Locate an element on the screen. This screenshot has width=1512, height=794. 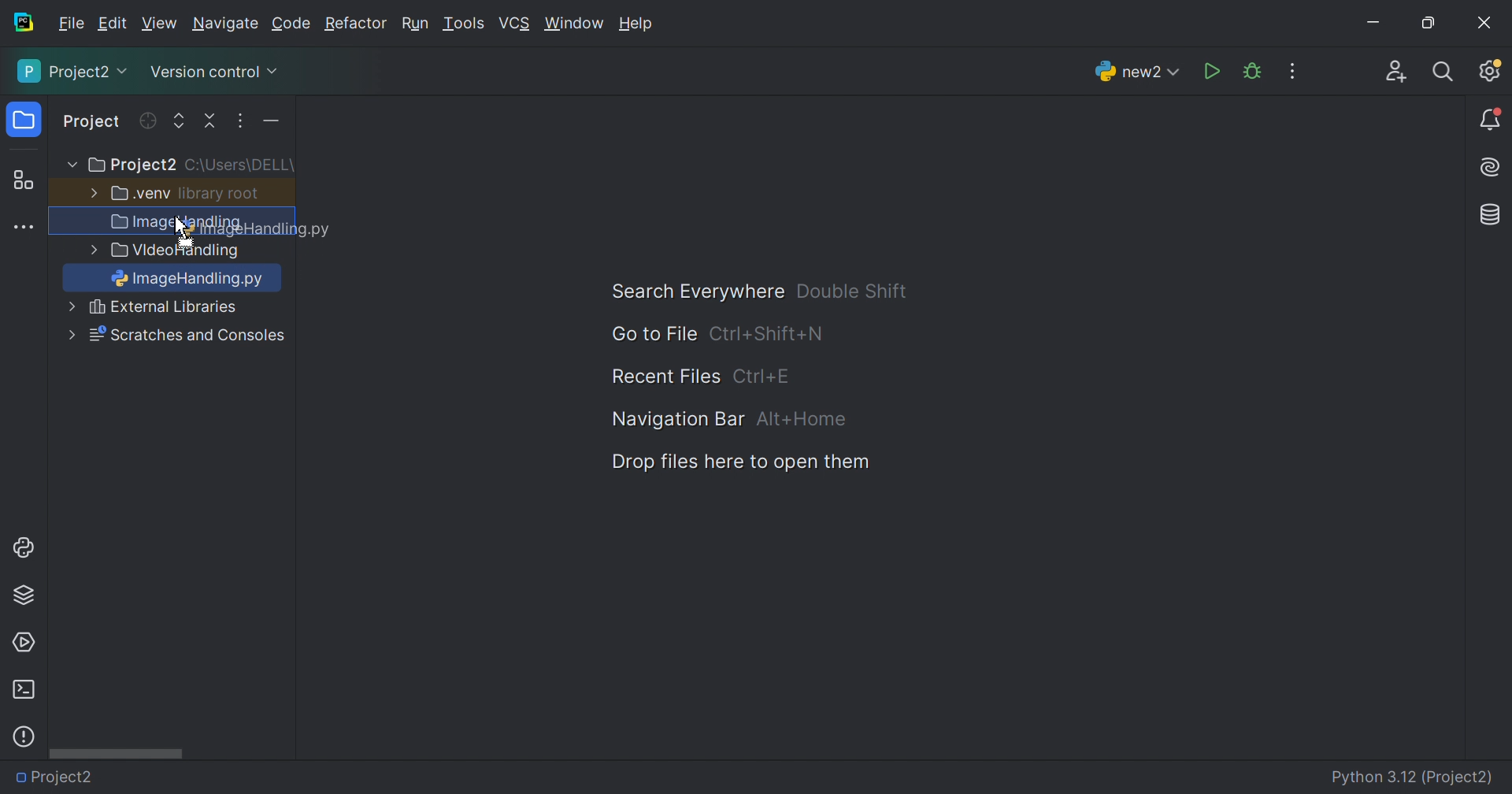
Alt+Home is located at coordinates (802, 420).